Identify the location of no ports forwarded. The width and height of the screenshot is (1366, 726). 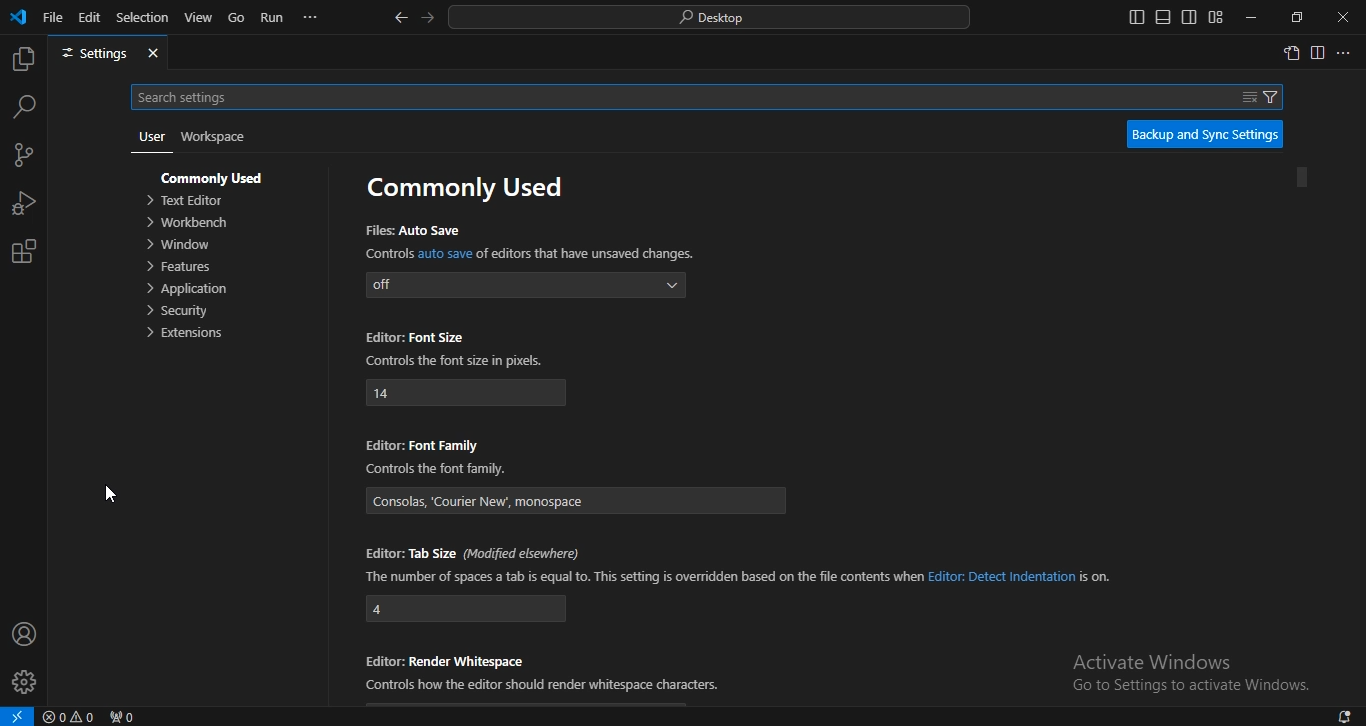
(121, 717).